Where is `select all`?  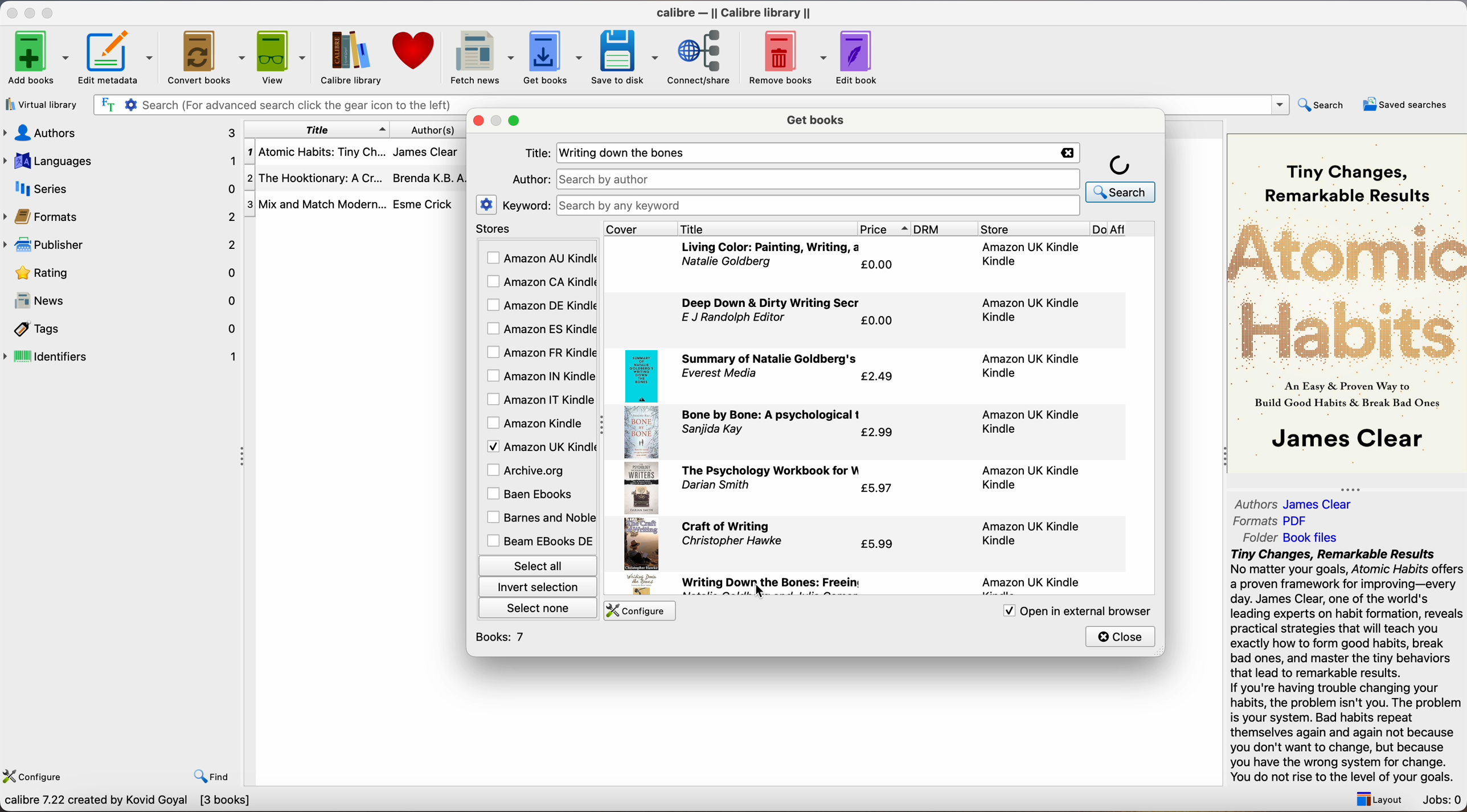
select all is located at coordinates (536, 564).